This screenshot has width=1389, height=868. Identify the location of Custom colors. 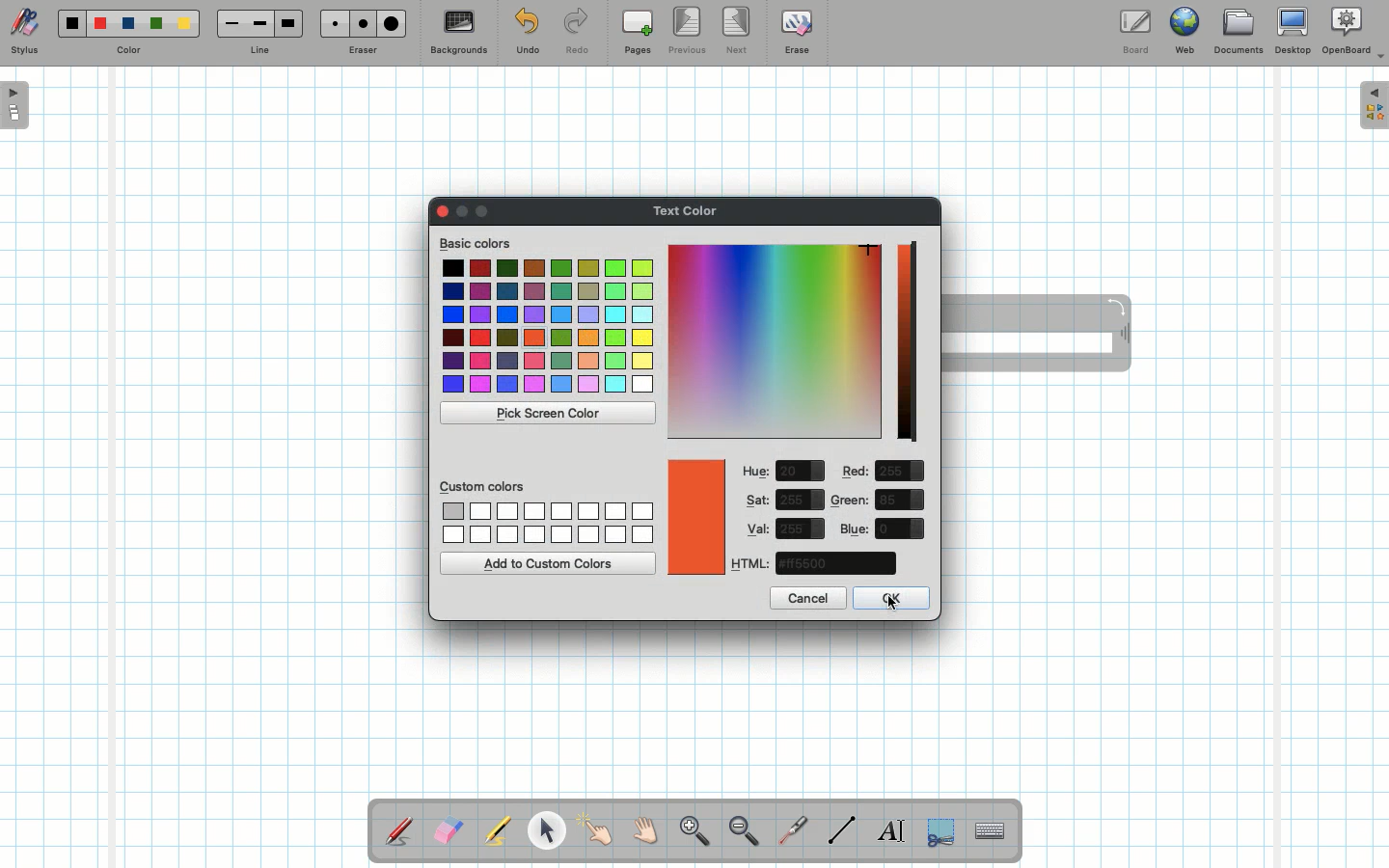
(547, 523).